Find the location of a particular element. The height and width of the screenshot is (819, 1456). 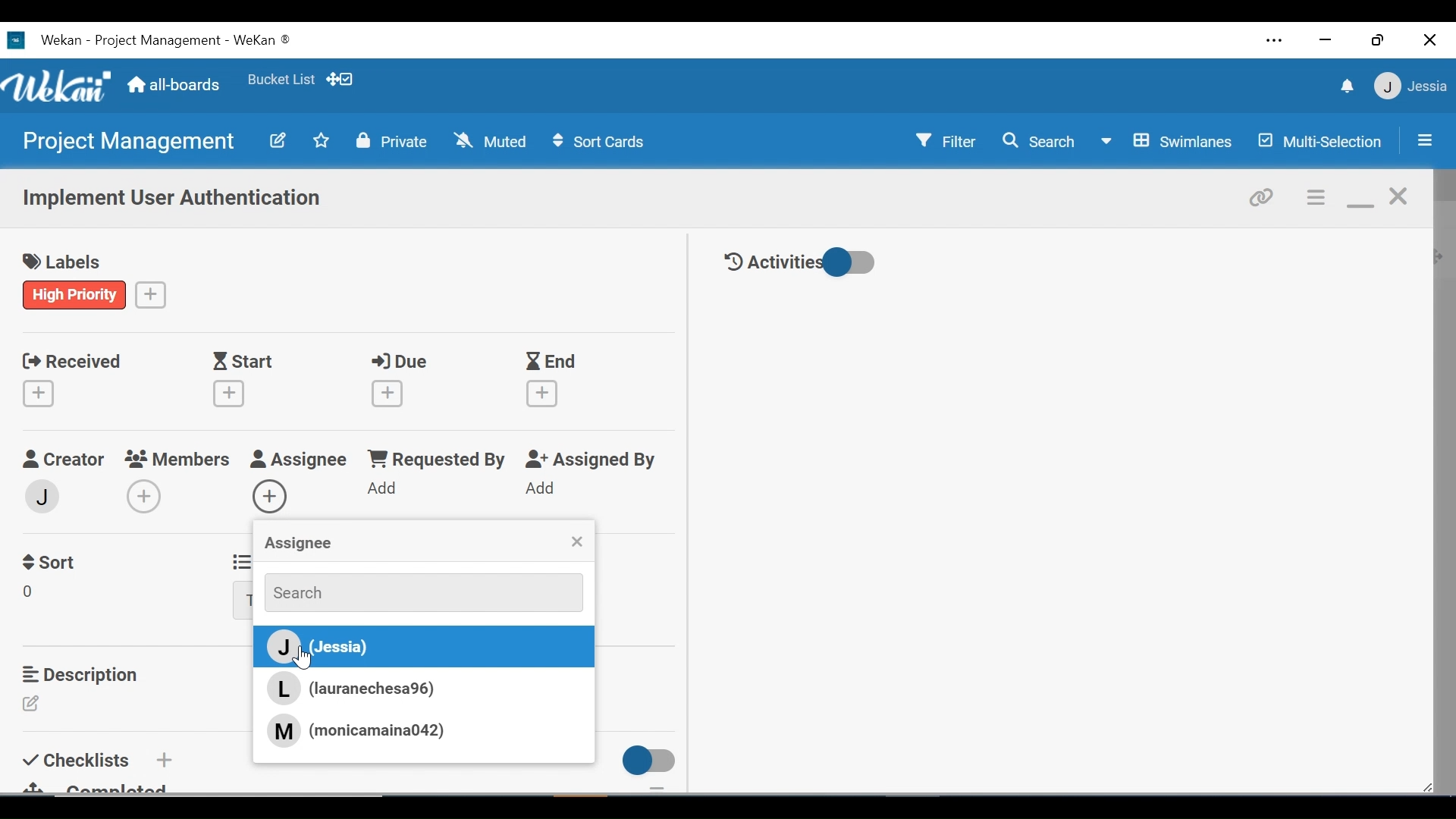

Cursor is located at coordinates (309, 660).